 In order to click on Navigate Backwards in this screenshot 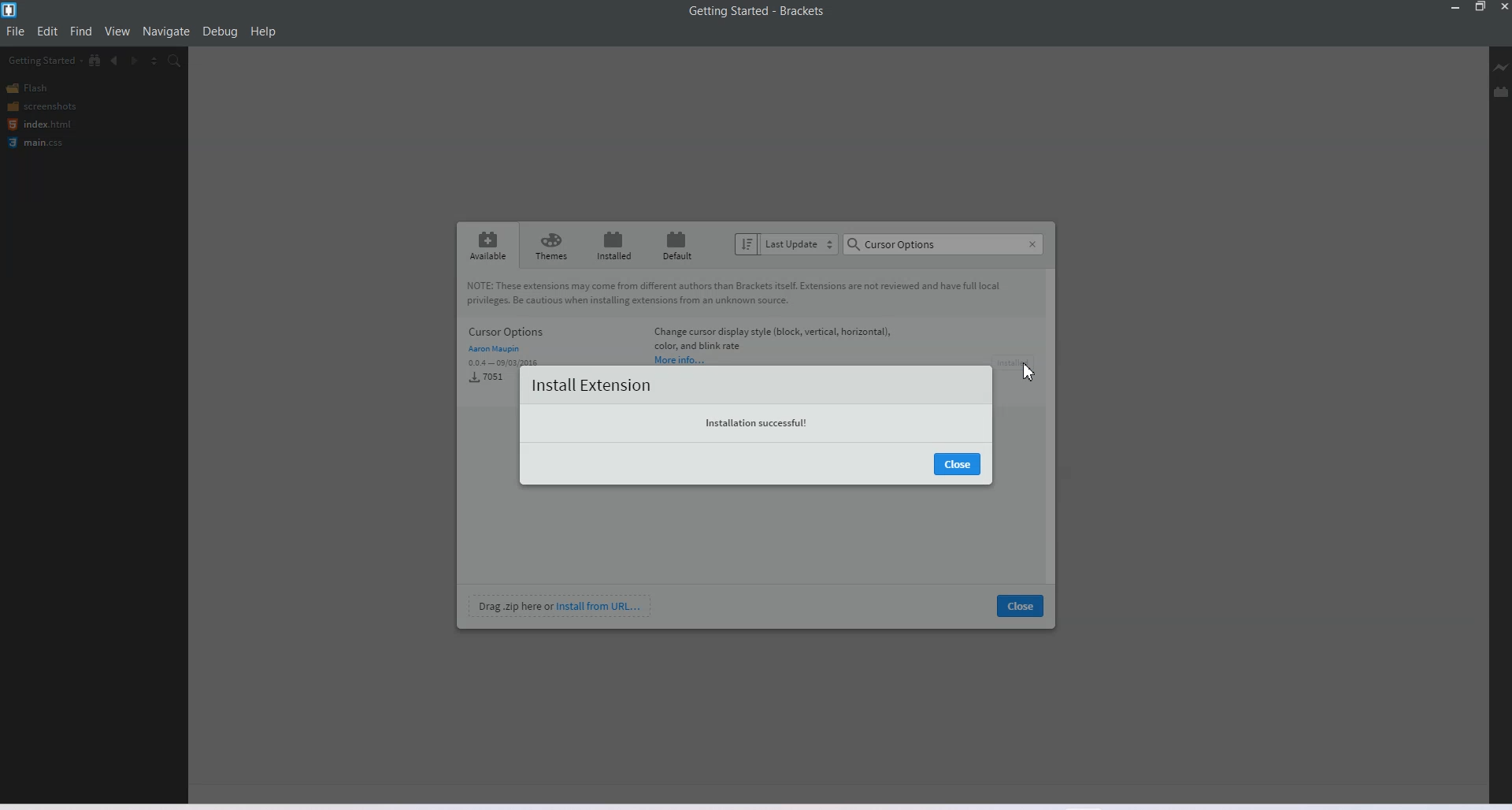, I will do `click(115, 61)`.